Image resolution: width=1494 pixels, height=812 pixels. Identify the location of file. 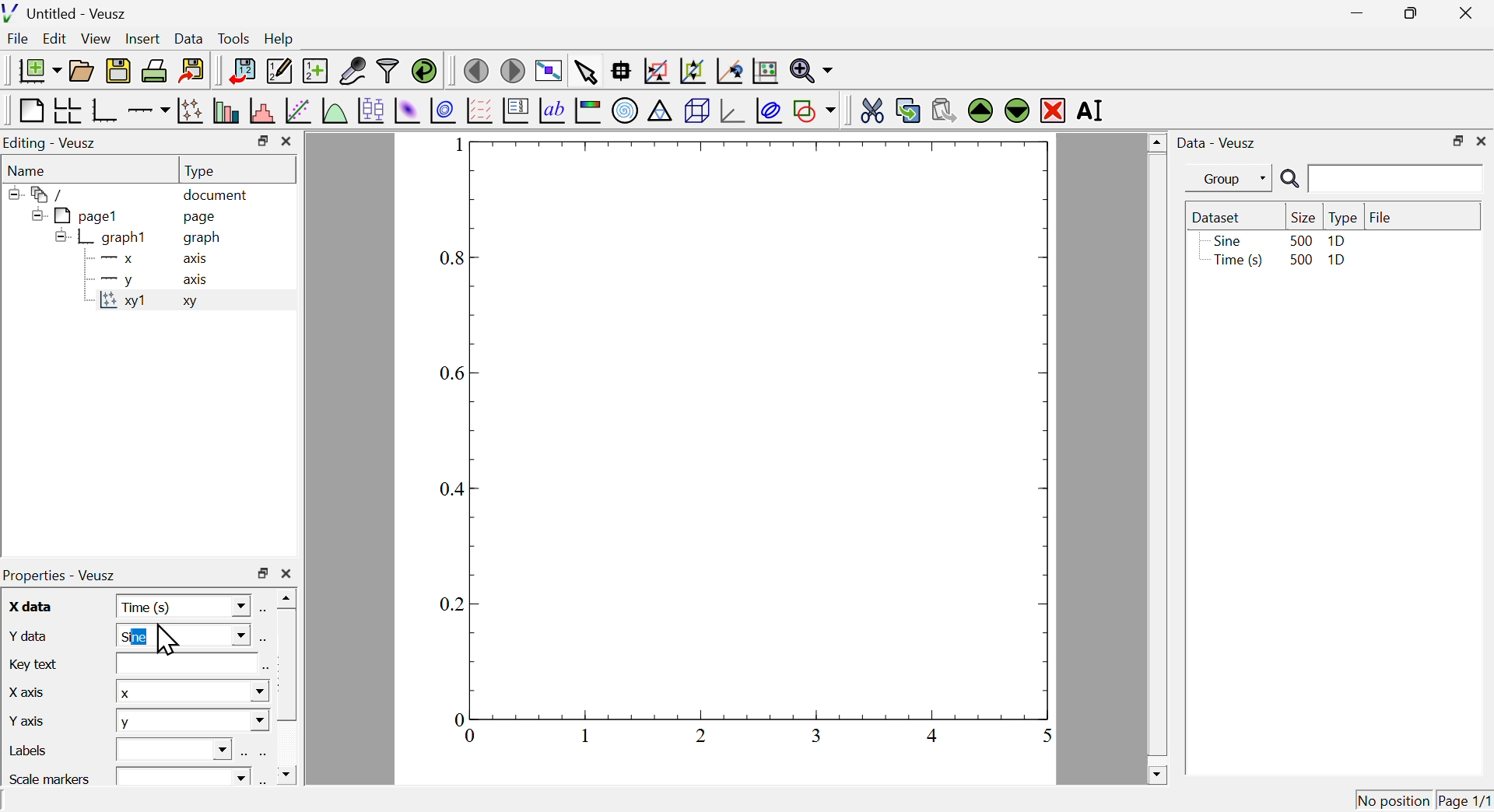
(19, 40).